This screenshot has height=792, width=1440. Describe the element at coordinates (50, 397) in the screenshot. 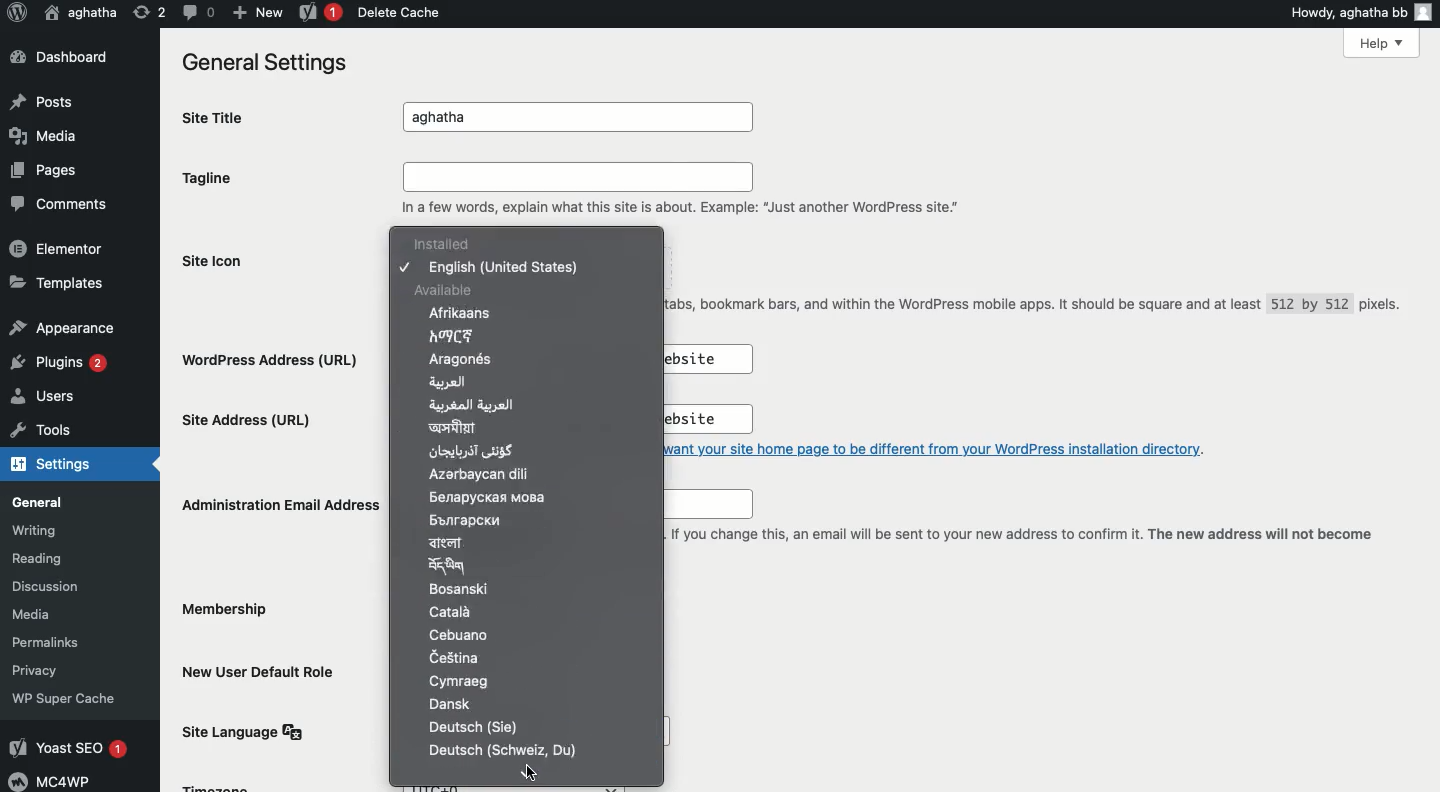

I see `Users` at that location.